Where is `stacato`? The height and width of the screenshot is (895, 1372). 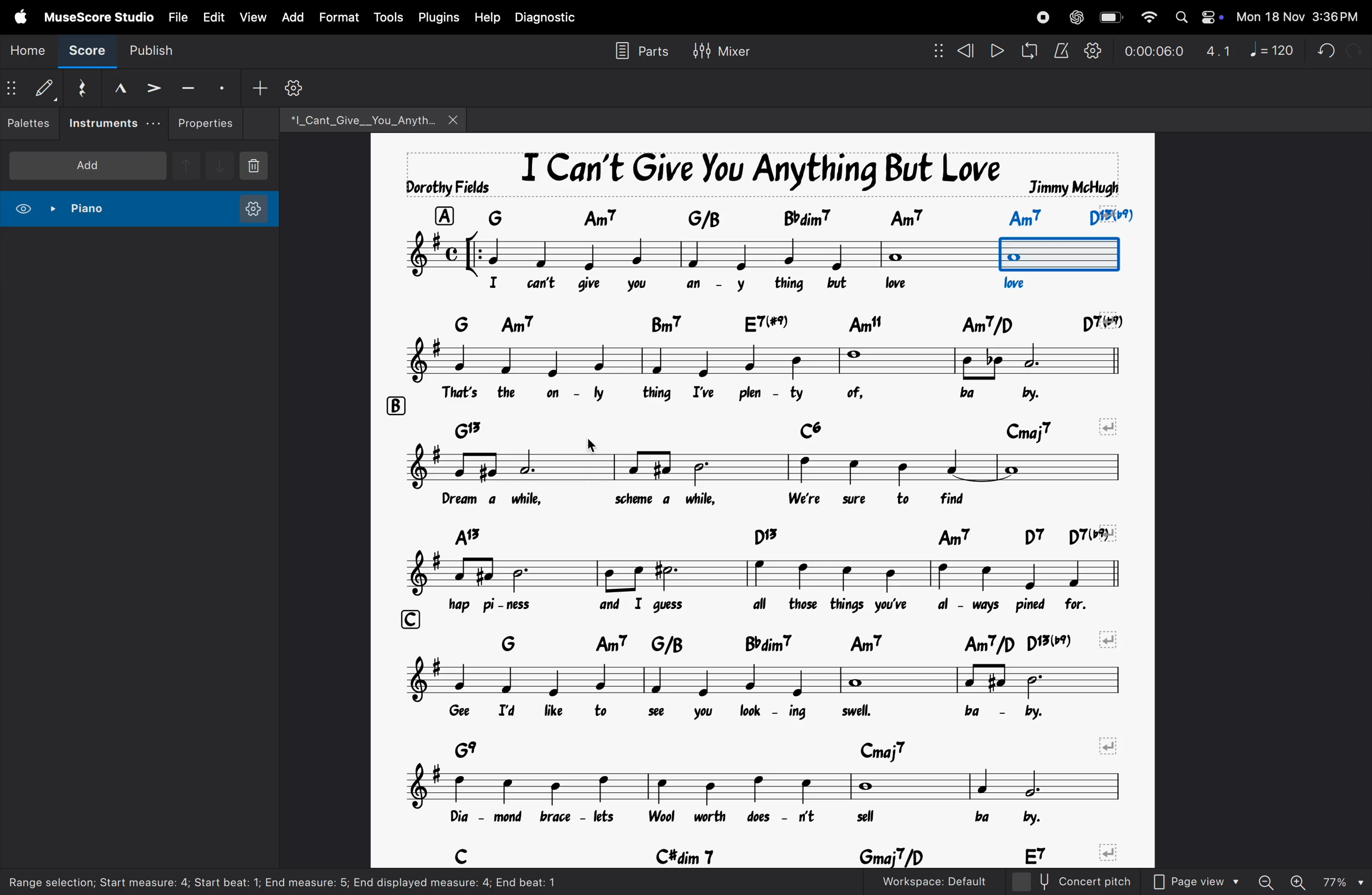
stacato is located at coordinates (221, 88).